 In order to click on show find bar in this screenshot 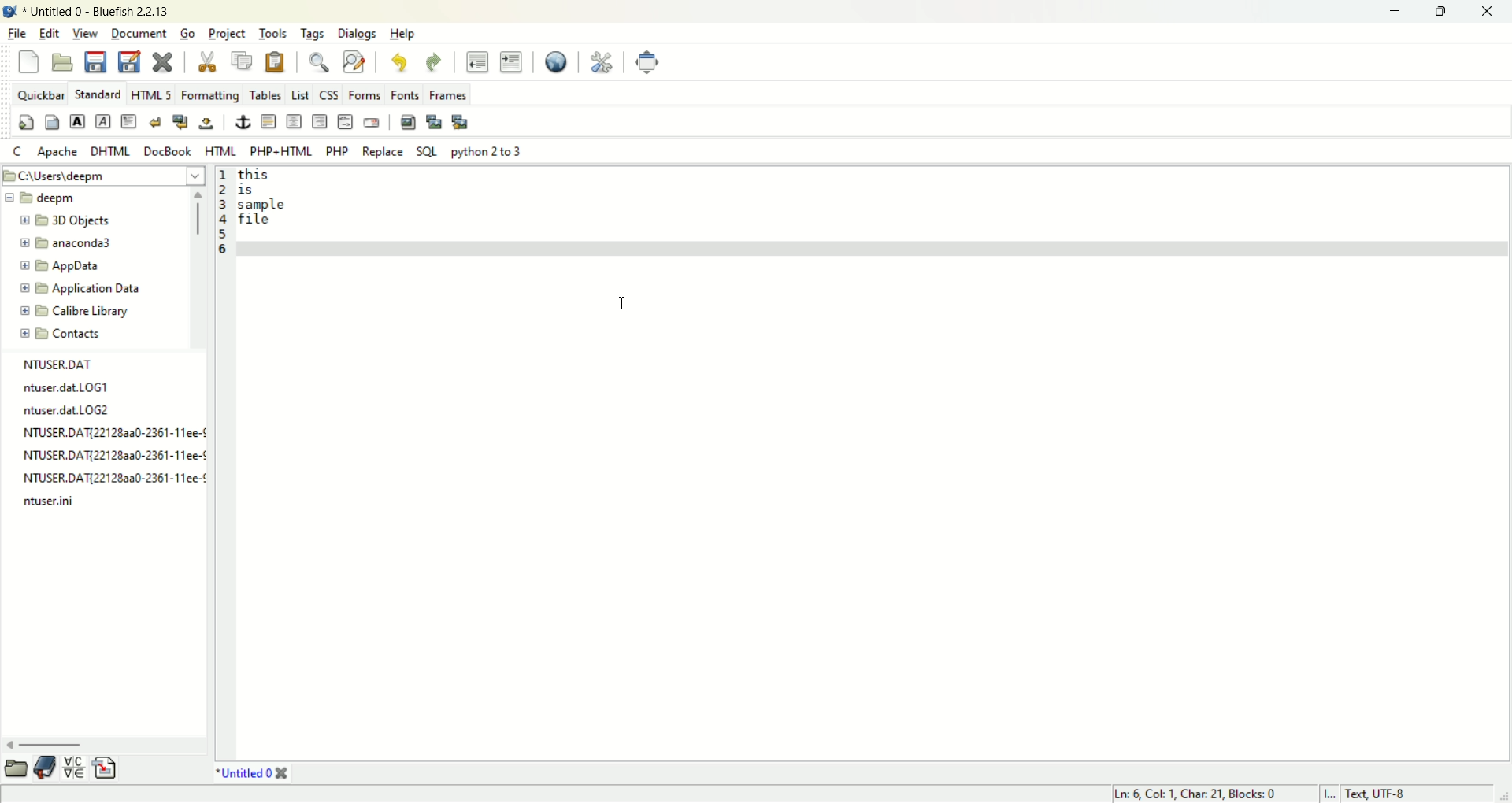, I will do `click(321, 62)`.